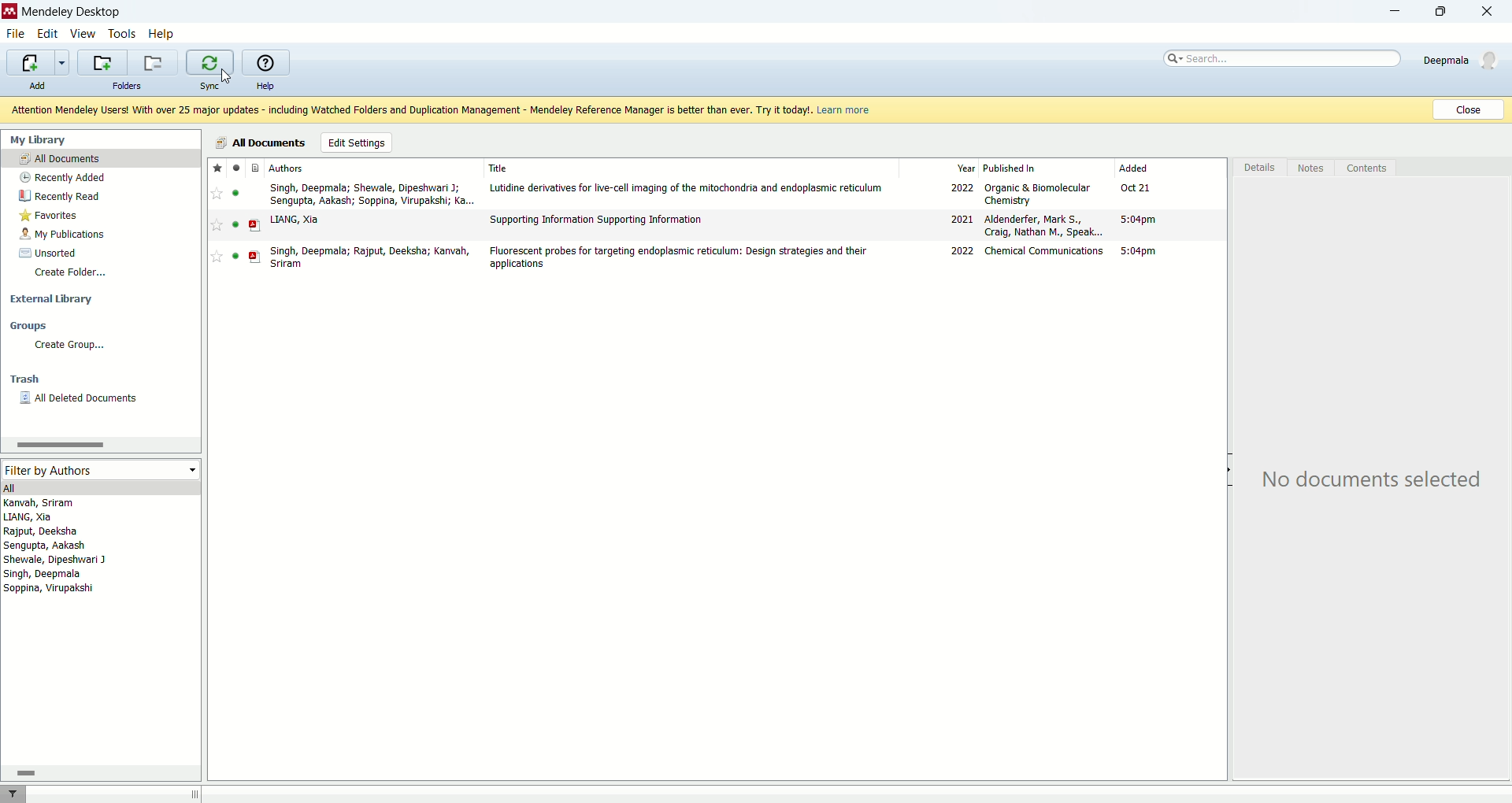 The width and height of the screenshot is (1512, 803). I want to click on Oct 21, so click(1141, 189).